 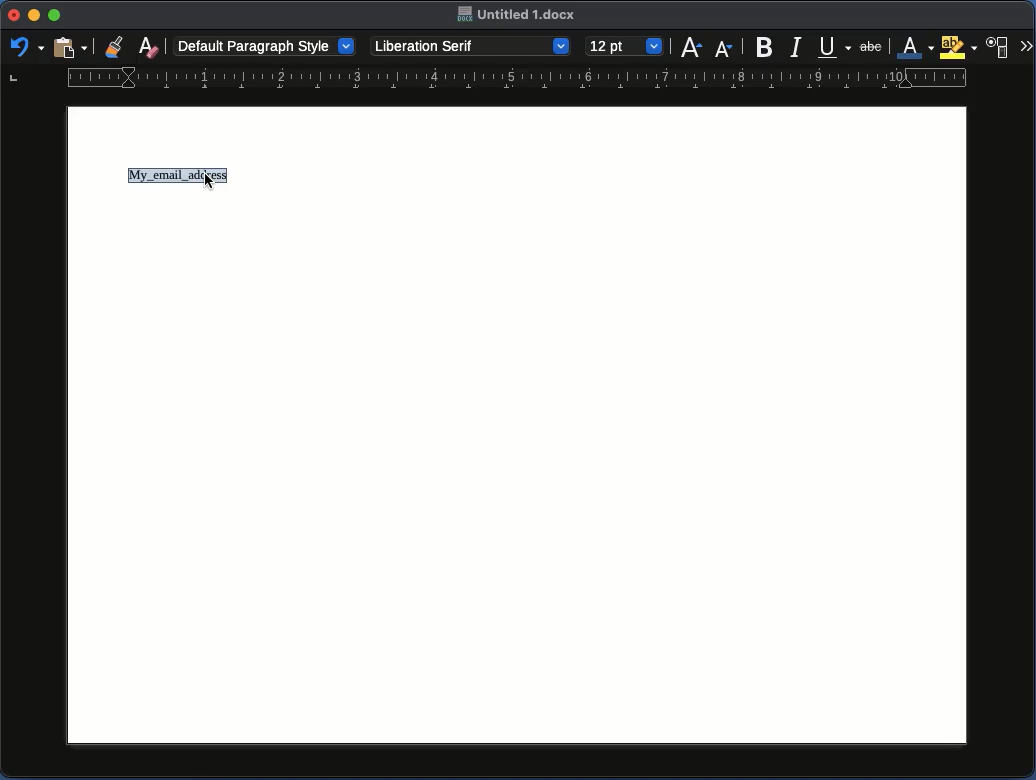 What do you see at coordinates (958, 47) in the screenshot?
I see `Highlighting` at bounding box center [958, 47].